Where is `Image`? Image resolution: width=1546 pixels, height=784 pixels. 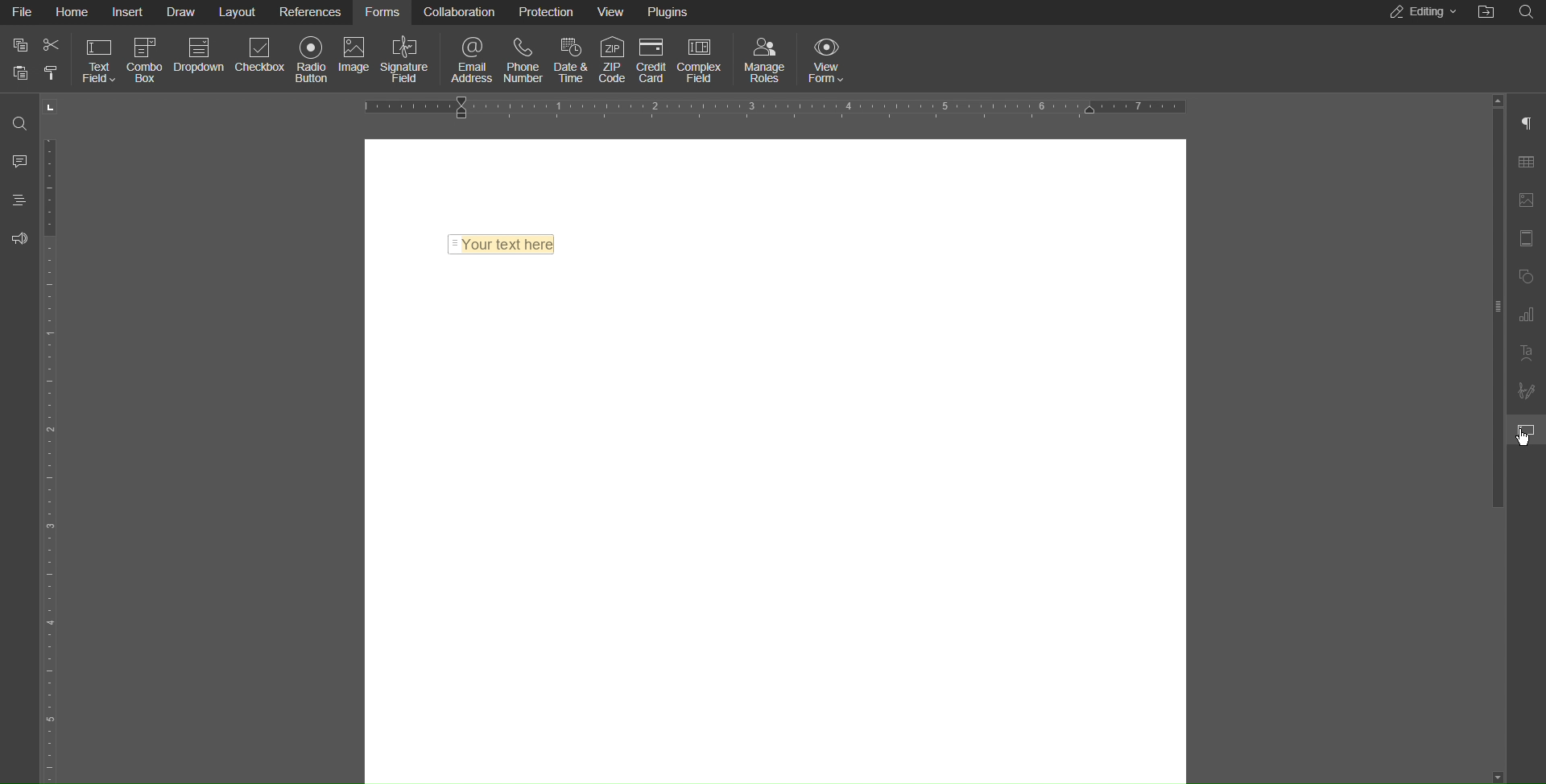 Image is located at coordinates (356, 57).